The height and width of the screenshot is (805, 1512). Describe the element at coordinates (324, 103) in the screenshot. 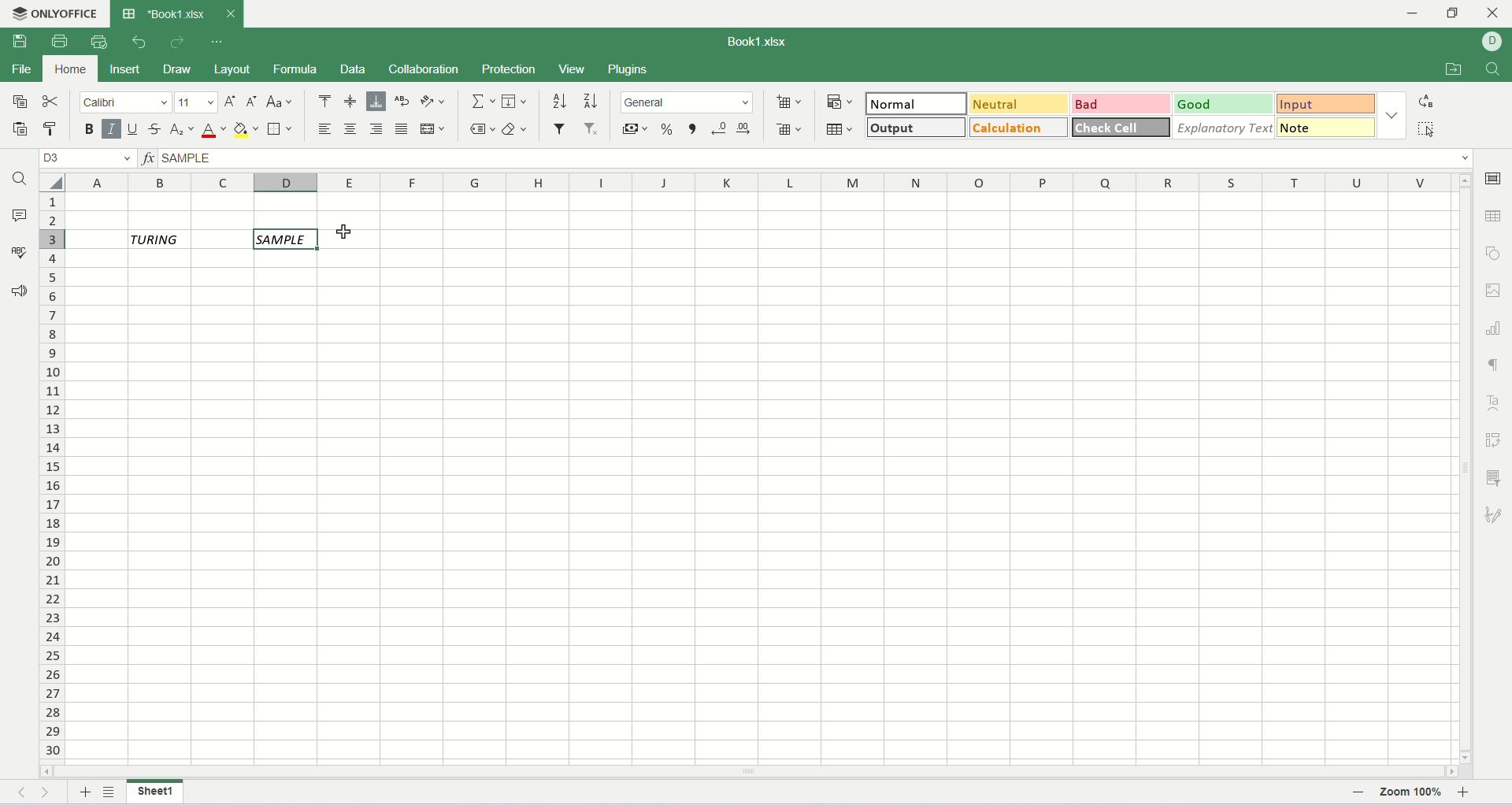

I see `align top` at that location.